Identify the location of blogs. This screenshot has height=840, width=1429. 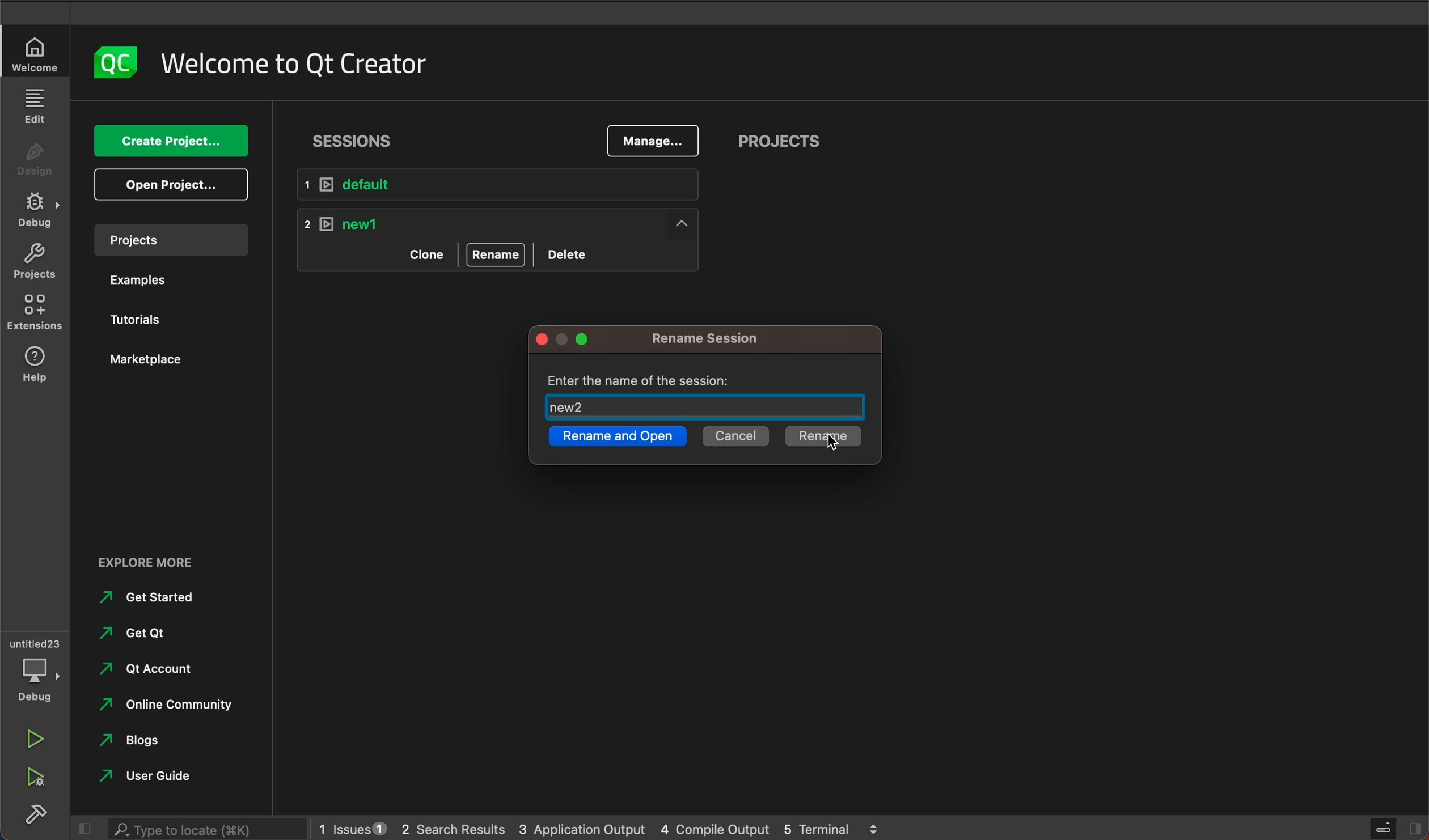
(138, 740).